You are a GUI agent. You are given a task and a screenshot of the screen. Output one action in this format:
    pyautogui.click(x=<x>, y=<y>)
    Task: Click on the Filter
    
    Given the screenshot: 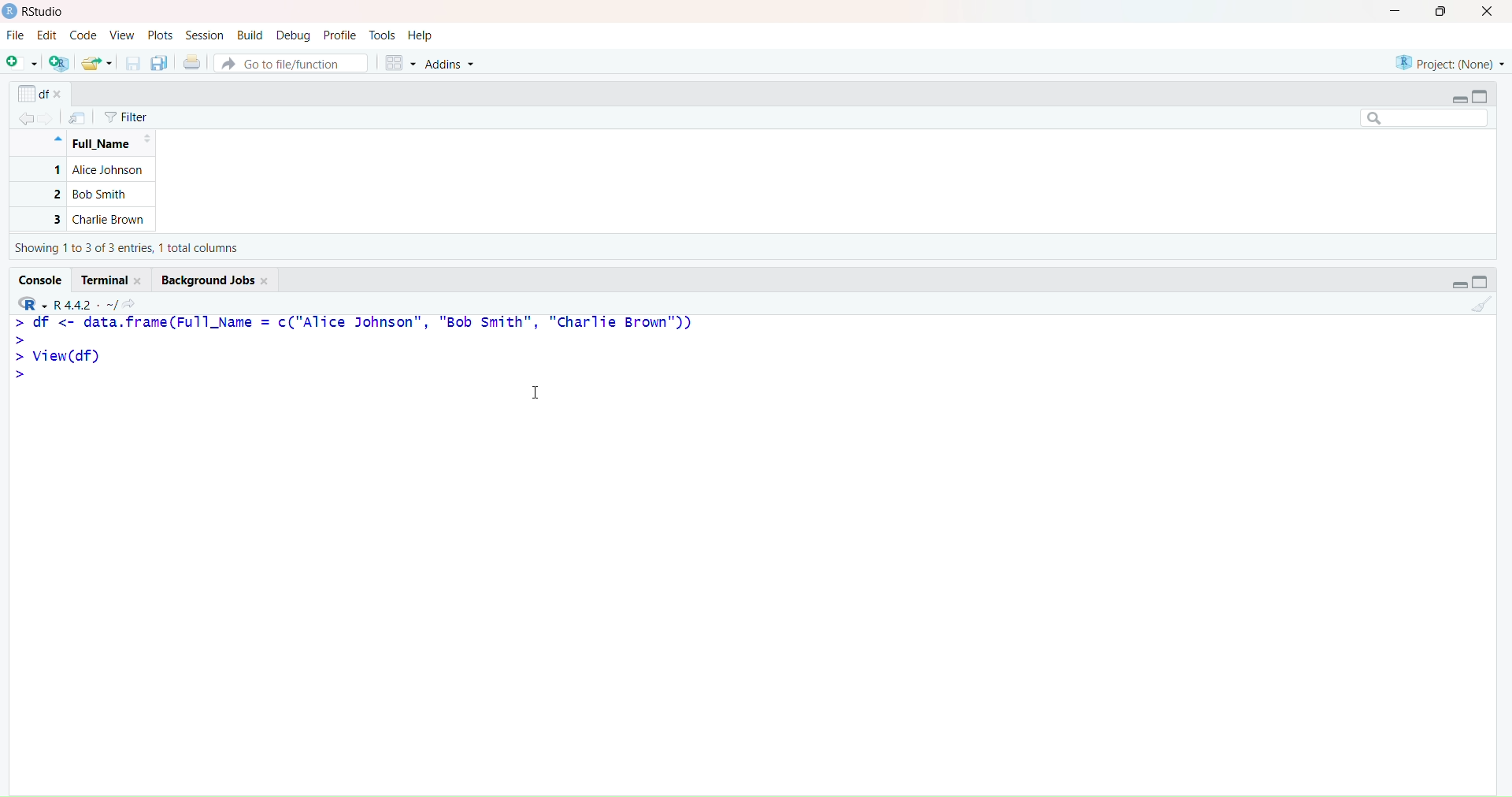 What is the action you would take?
    pyautogui.click(x=127, y=117)
    